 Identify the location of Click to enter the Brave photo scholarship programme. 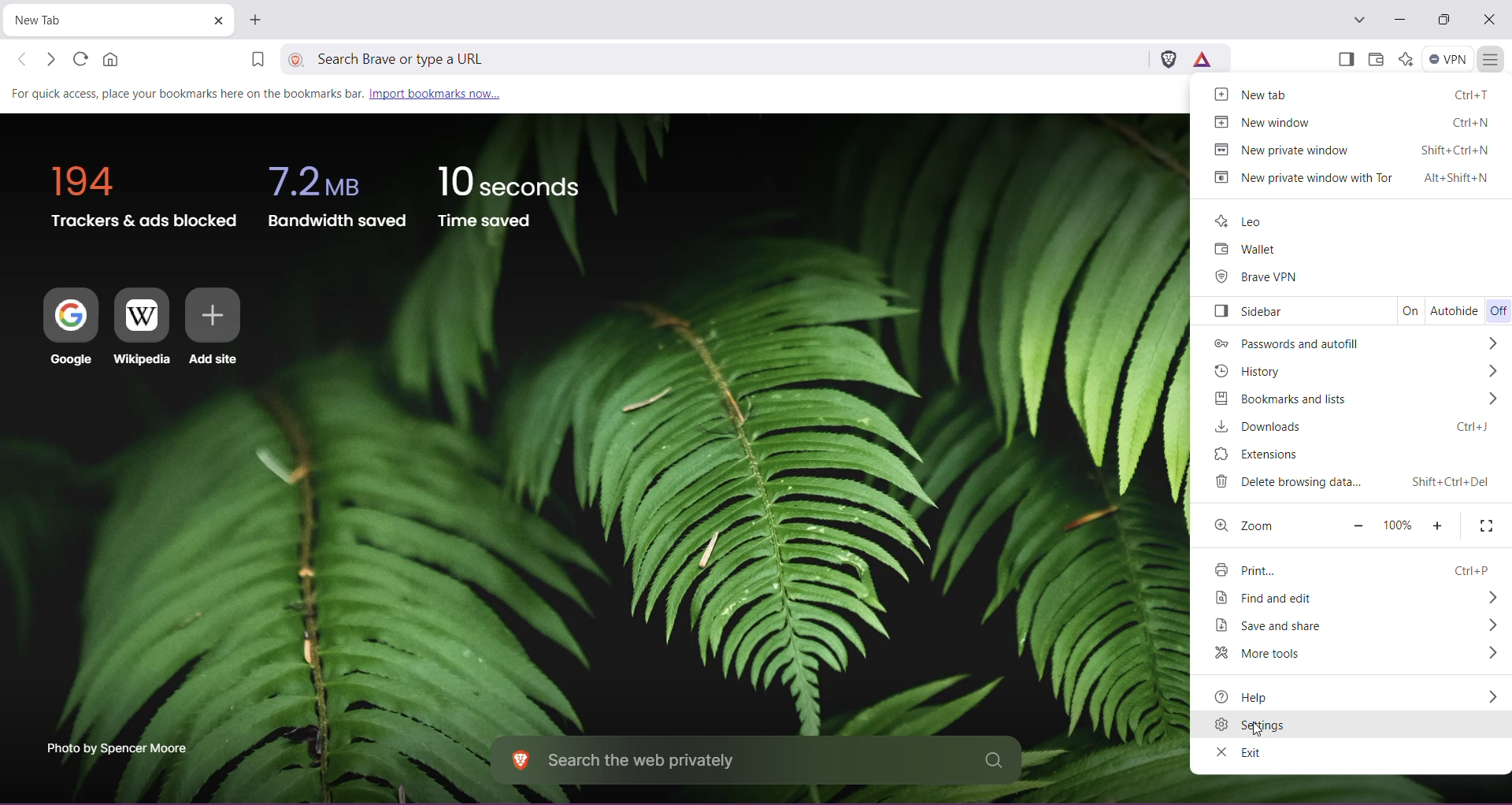
(115, 747).